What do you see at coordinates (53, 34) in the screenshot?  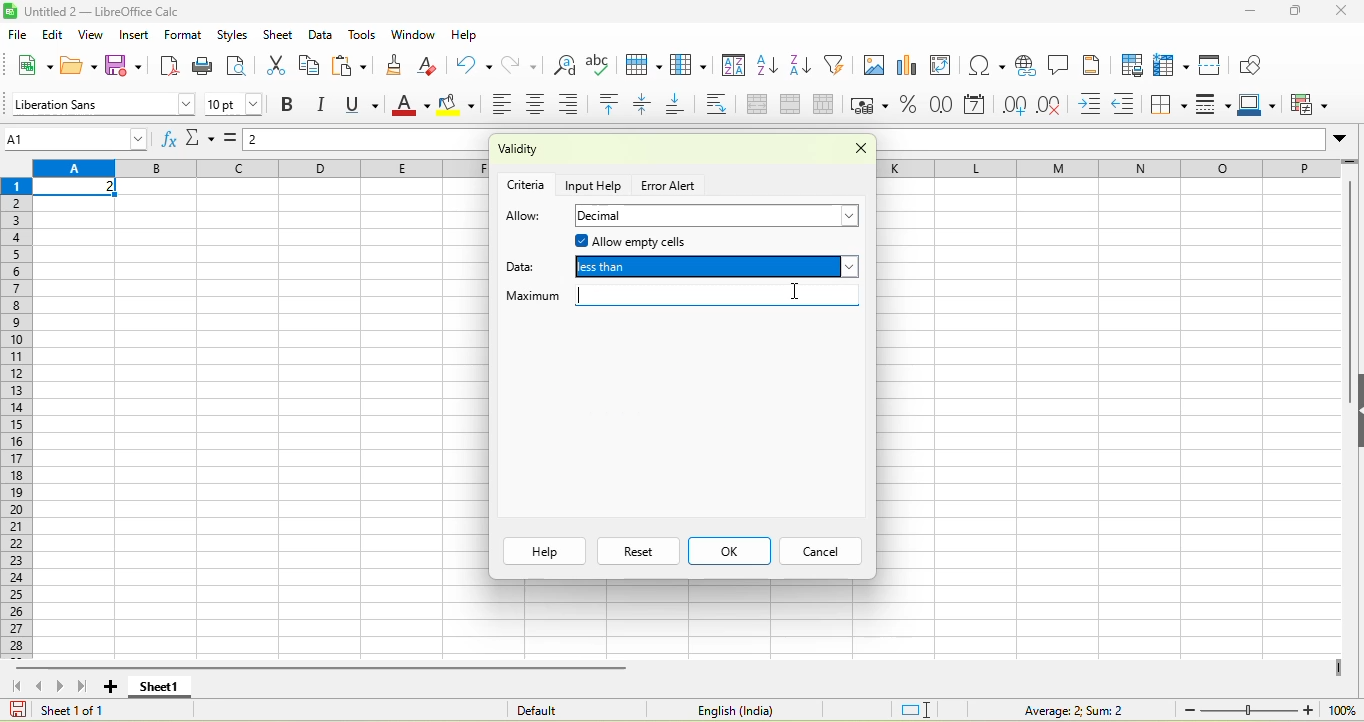 I see `edit` at bounding box center [53, 34].